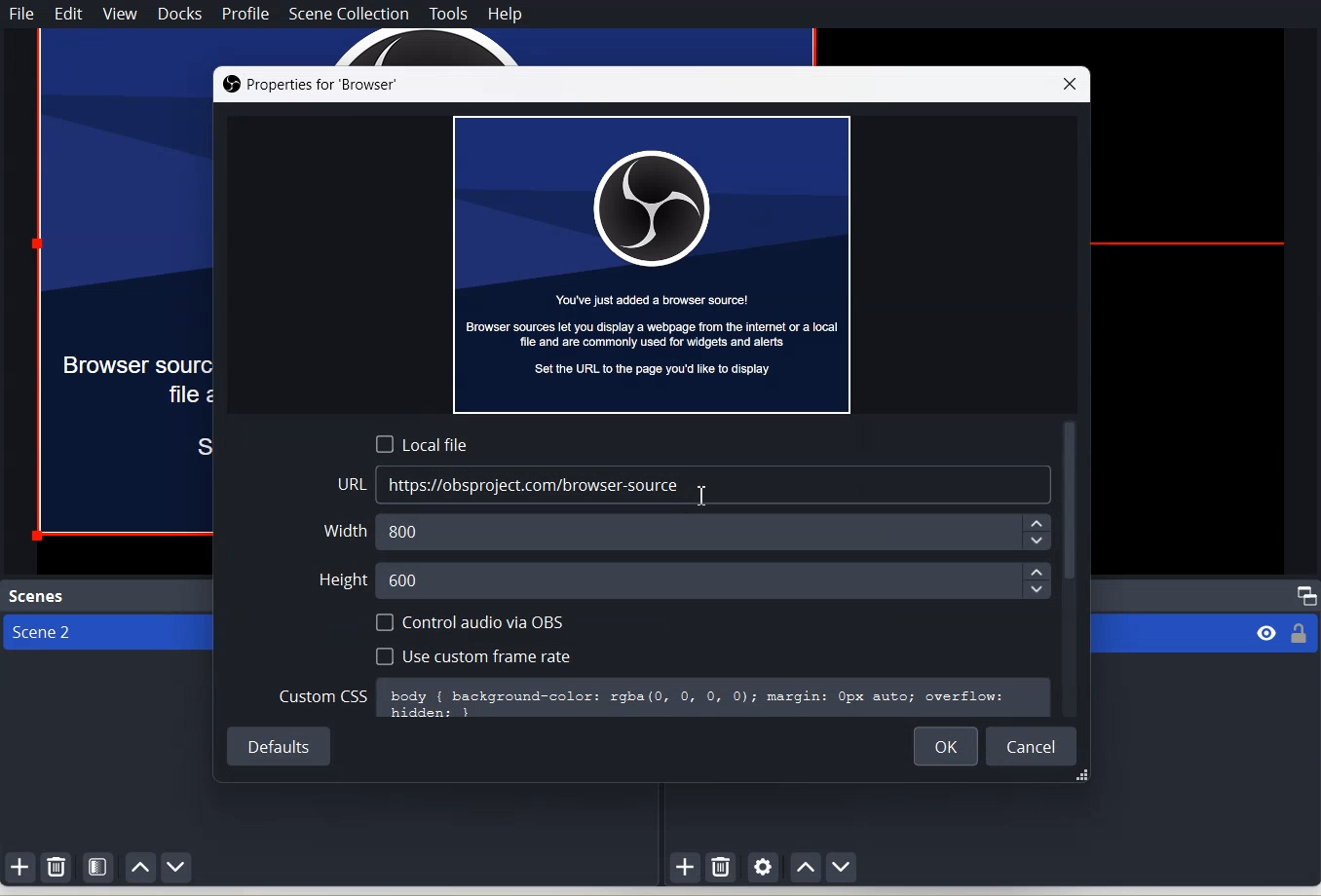 Image resolution: width=1321 pixels, height=896 pixels. What do you see at coordinates (713, 484) in the screenshot?
I see `https://obsproject.com/browser-source` at bounding box center [713, 484].